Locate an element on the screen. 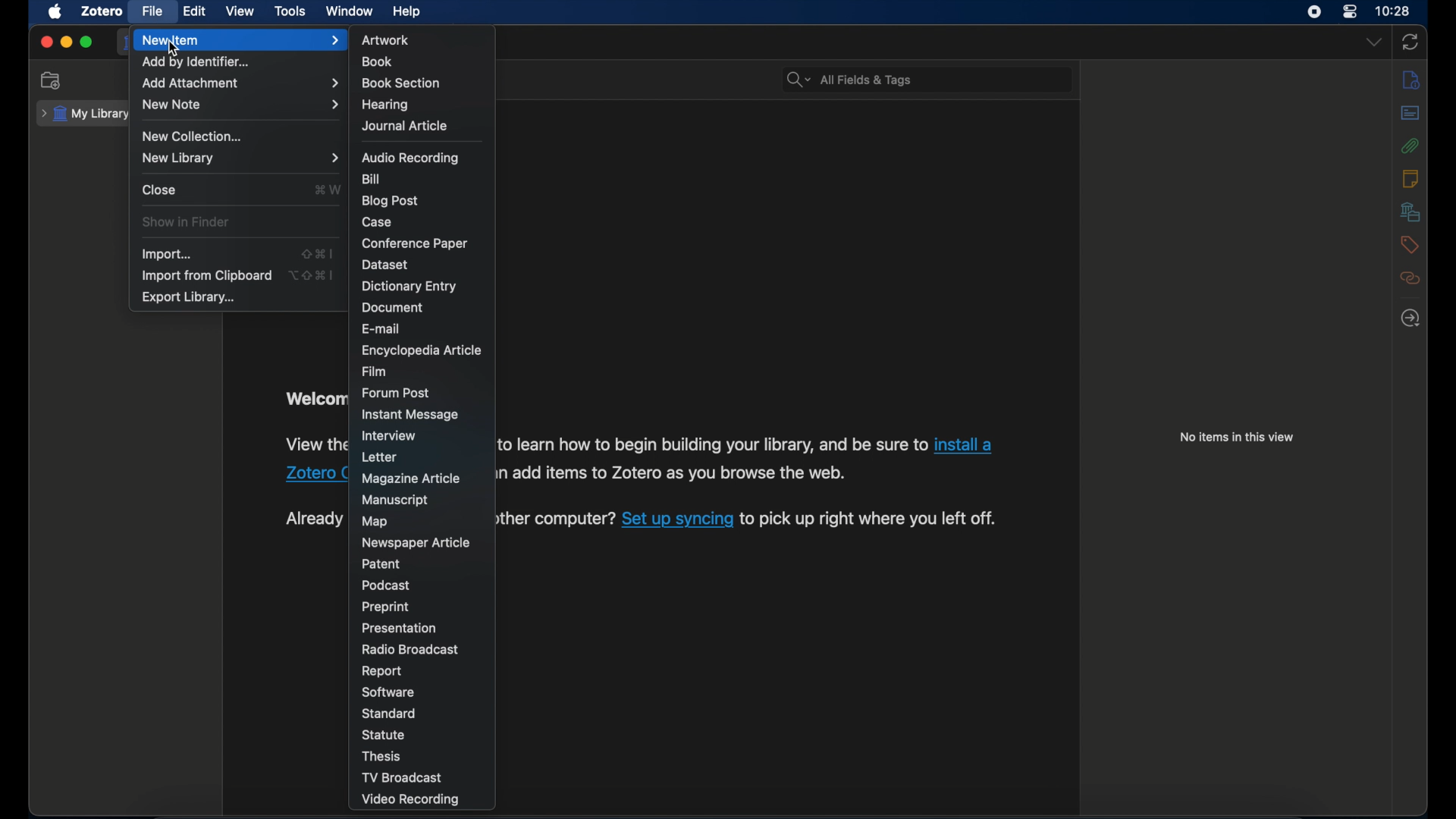 This screenshot has width=1456, height=819. interview is located at coordinates (391, 436).